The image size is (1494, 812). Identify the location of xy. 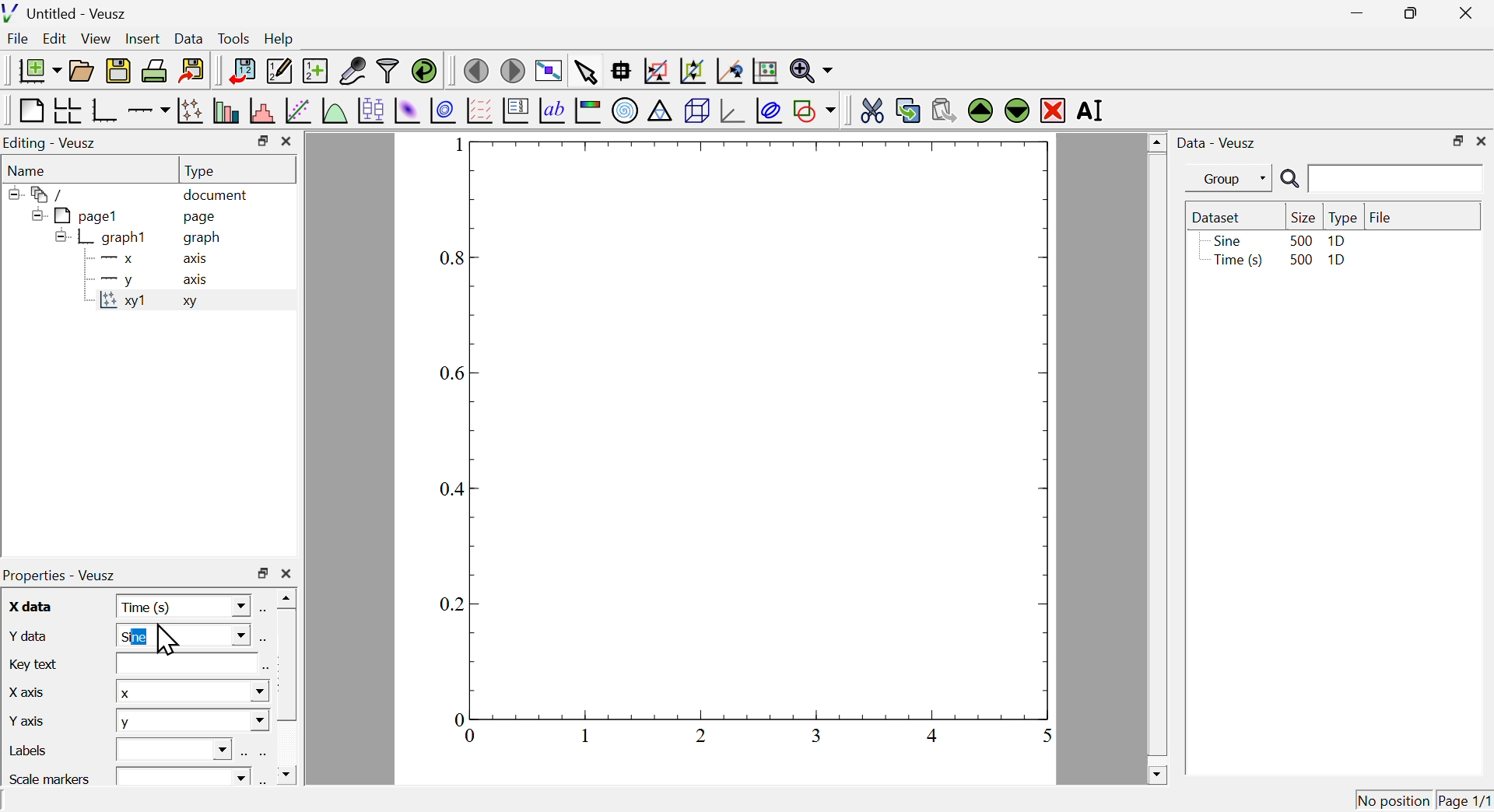
(195, 305).